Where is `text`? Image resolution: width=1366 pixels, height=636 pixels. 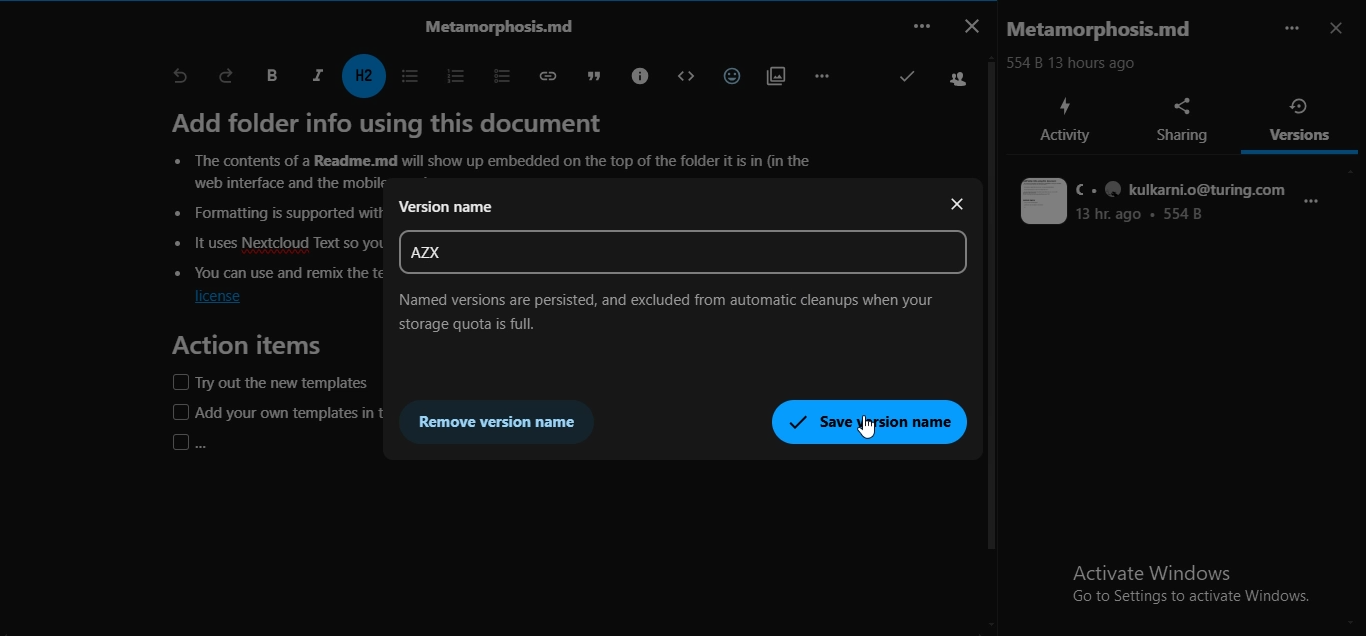 text is located at coordinates (679, 311).